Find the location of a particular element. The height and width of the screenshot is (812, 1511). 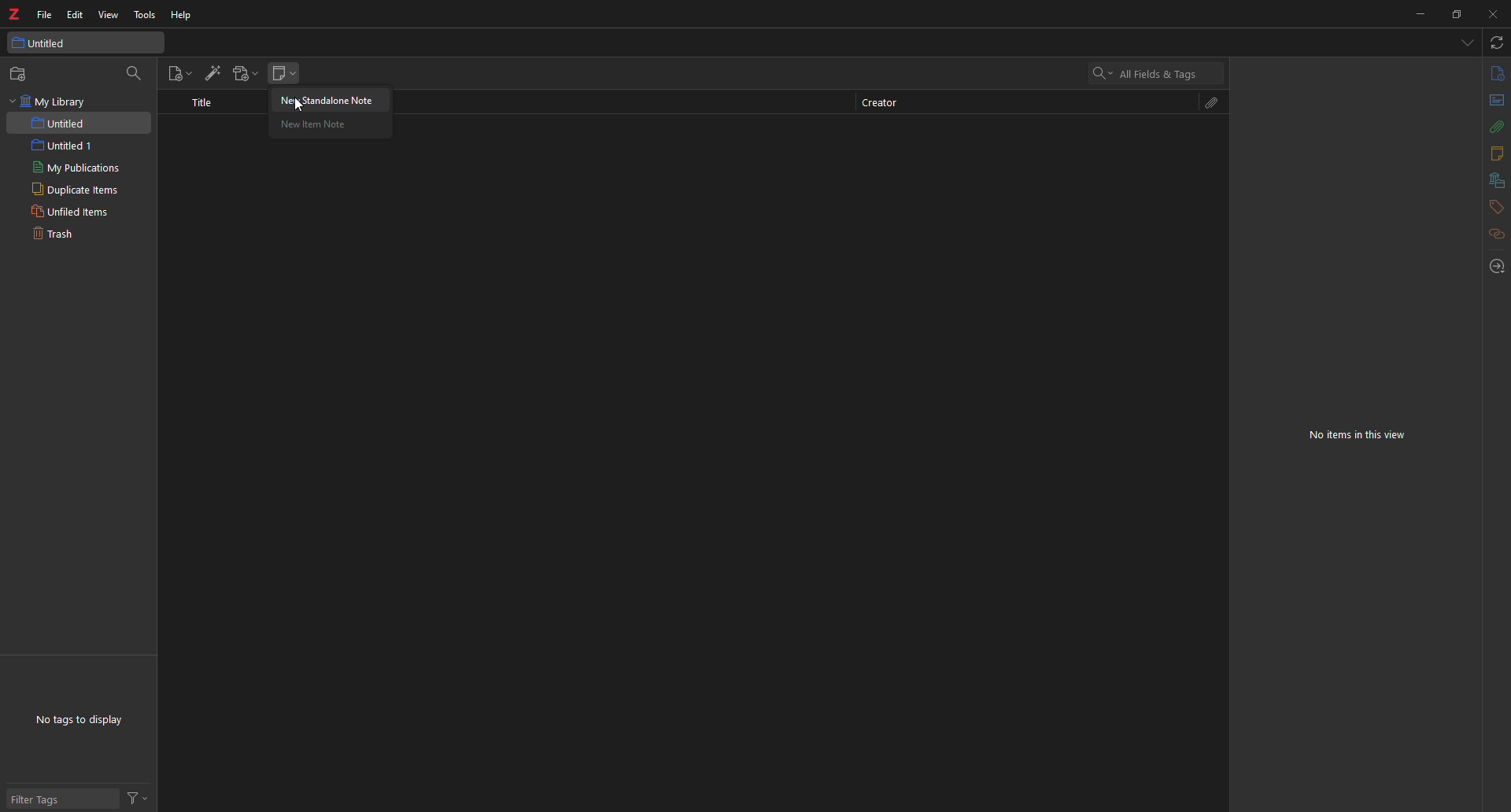

maximize is located at coordinates (1456, 13).